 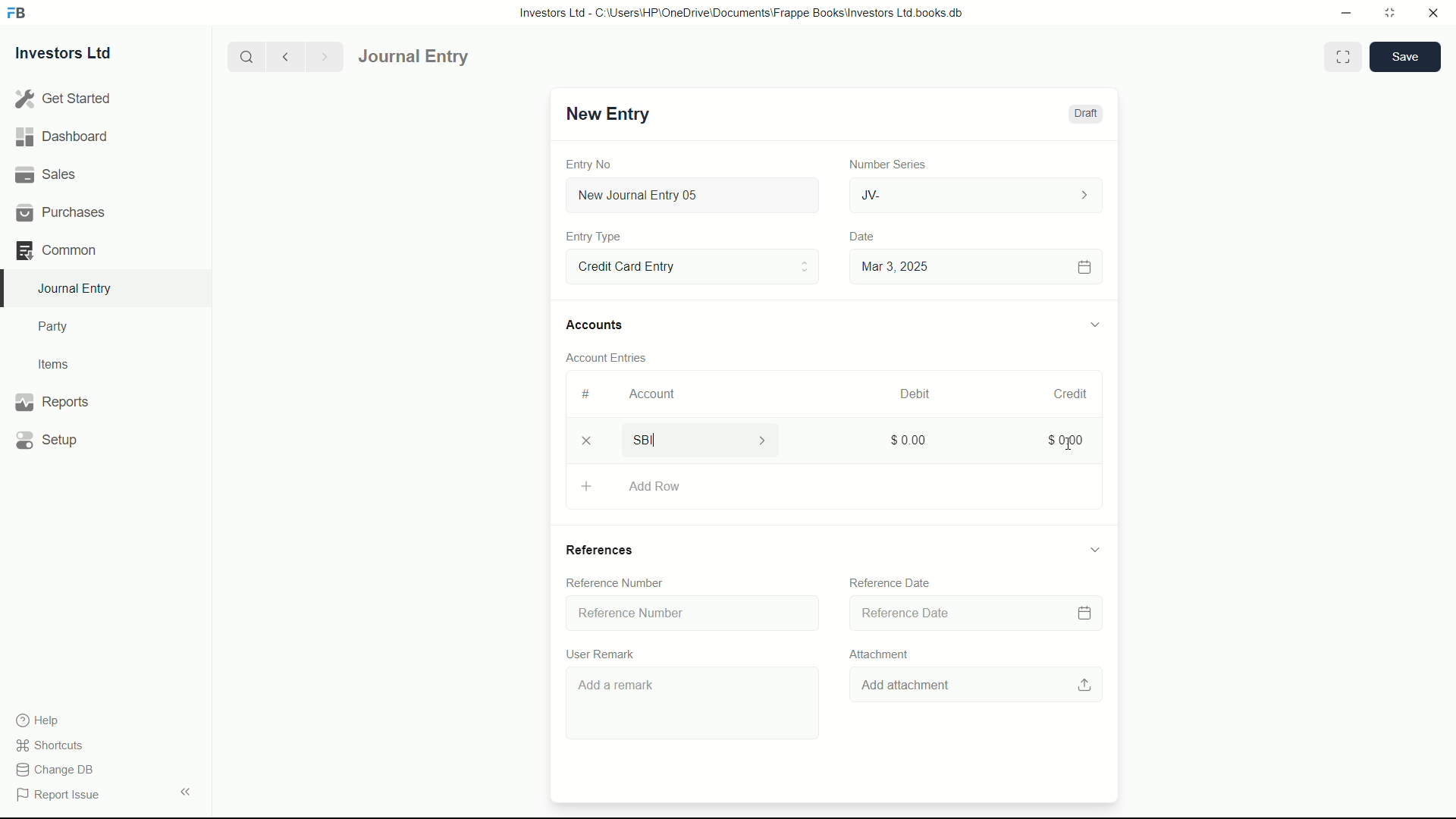 What do you see at coordinates (864, 237) in the screenshot?
I see `Date` at bounding box center [864, 237].